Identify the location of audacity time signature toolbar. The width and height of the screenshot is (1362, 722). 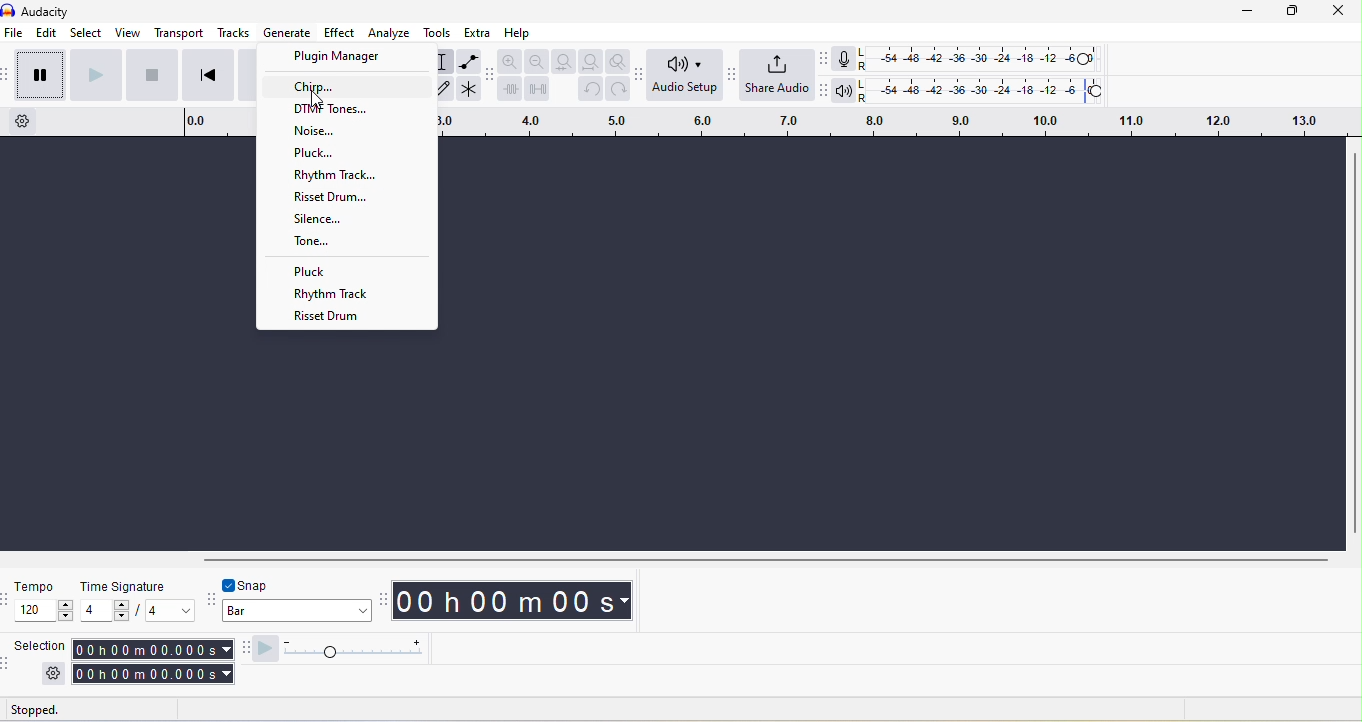
(9, 599).